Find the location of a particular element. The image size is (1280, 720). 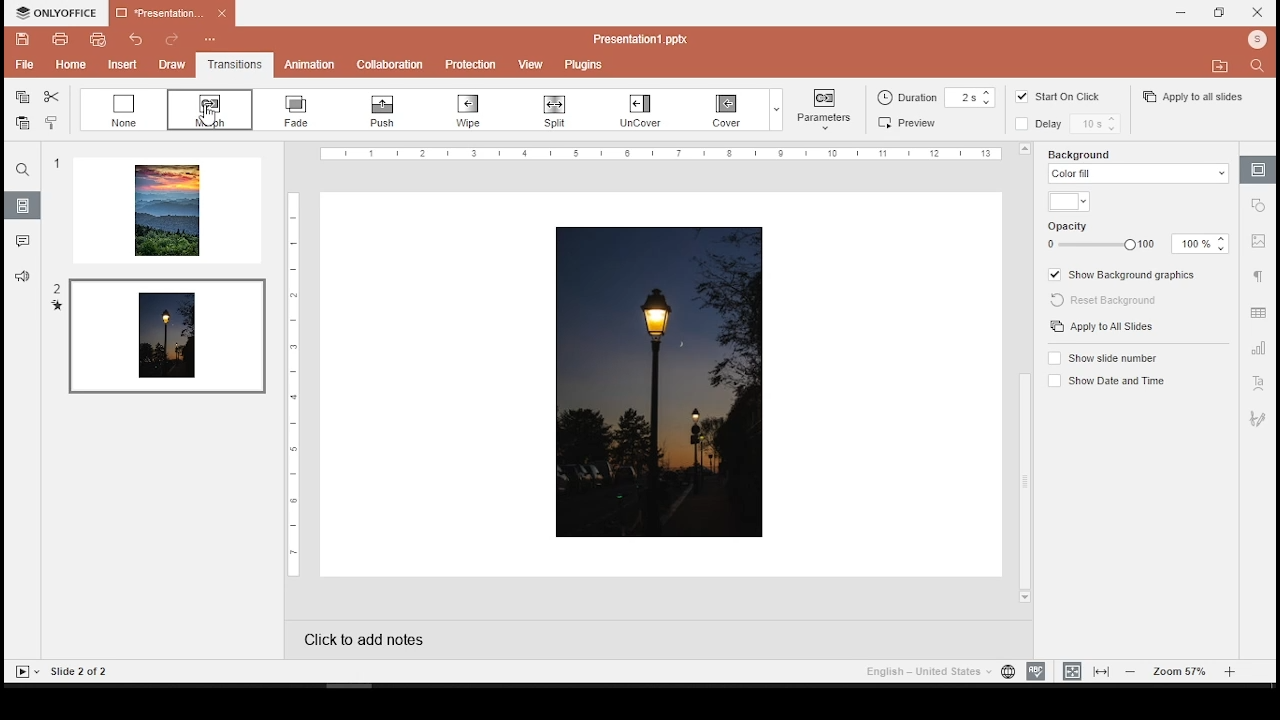

view is located at coordinates (529, 63).